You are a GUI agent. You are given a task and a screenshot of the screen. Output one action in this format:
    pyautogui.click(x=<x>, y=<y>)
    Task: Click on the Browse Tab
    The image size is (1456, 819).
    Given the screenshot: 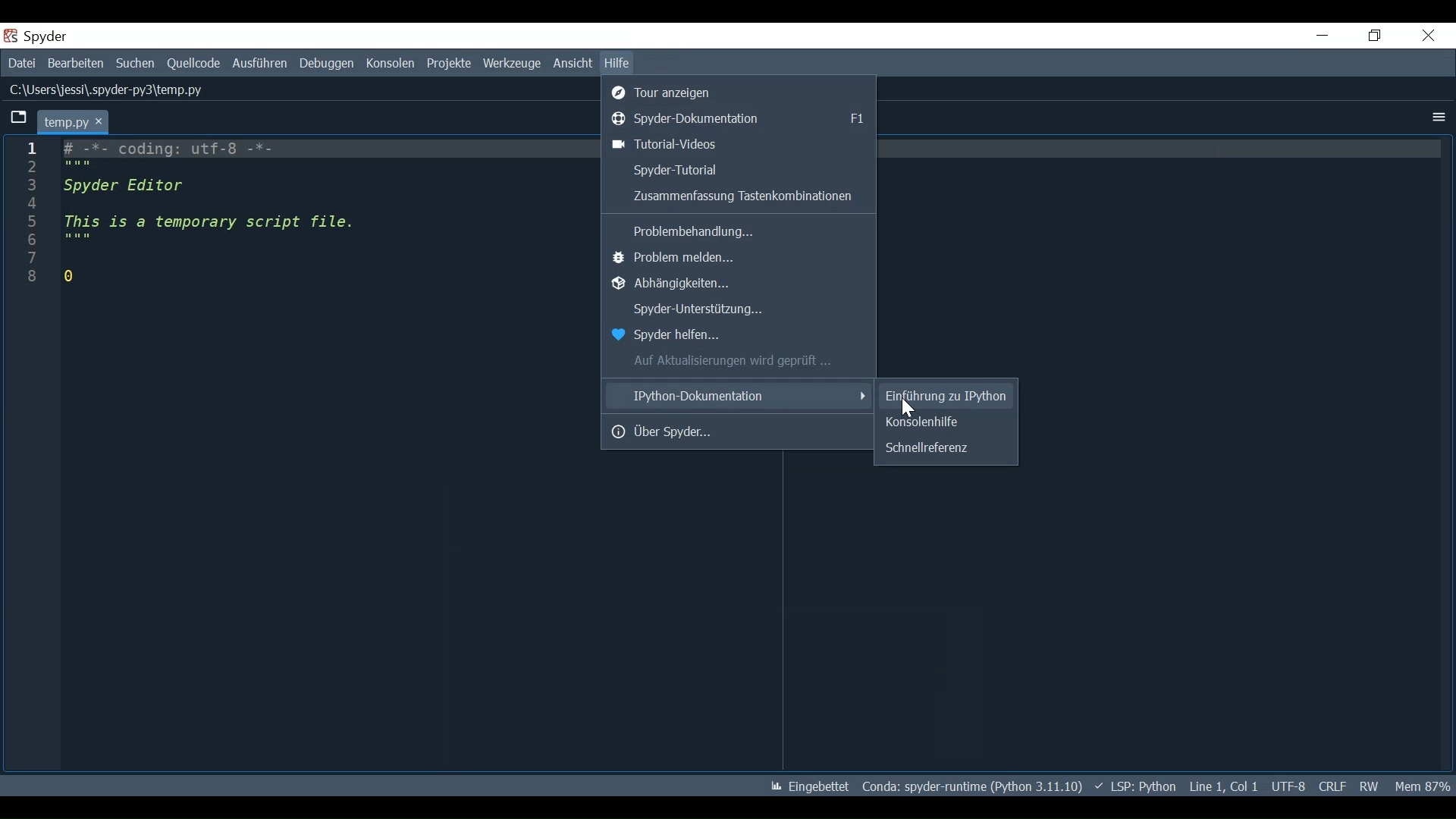 What is the action you would take?
    pyautogui.click(x=17, y=119)
    